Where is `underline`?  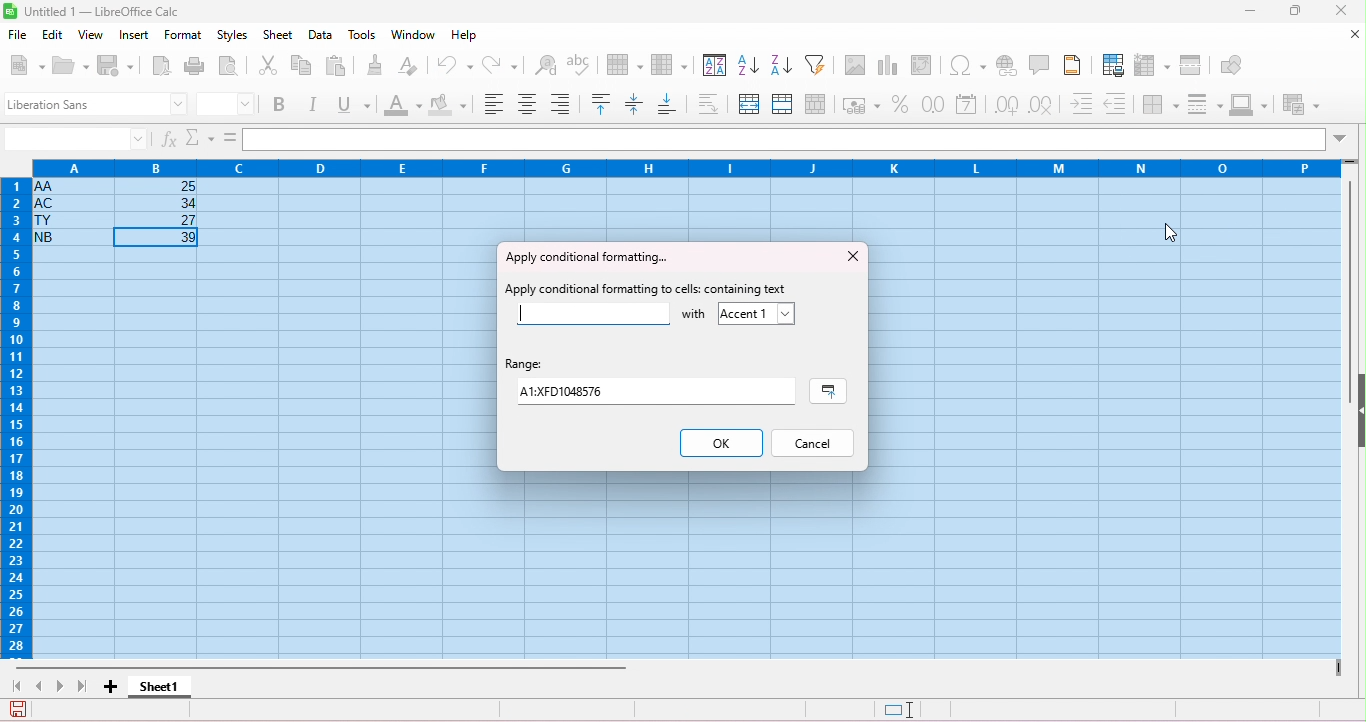
underline is located at coordinates (353, 105).